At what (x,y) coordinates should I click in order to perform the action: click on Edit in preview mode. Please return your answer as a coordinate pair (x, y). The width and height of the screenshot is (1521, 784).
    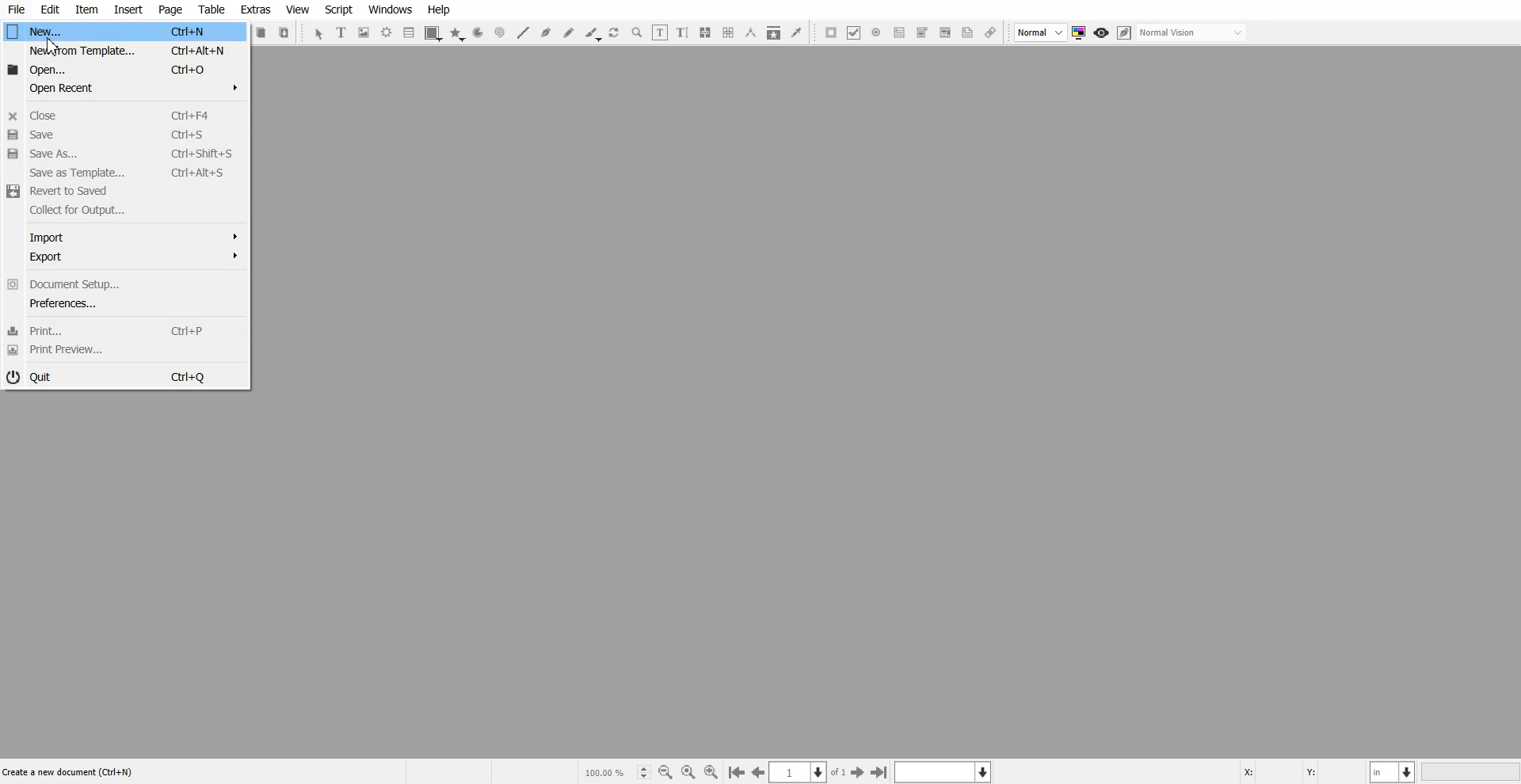
    Looking at the image, I should click on (1125, 32).